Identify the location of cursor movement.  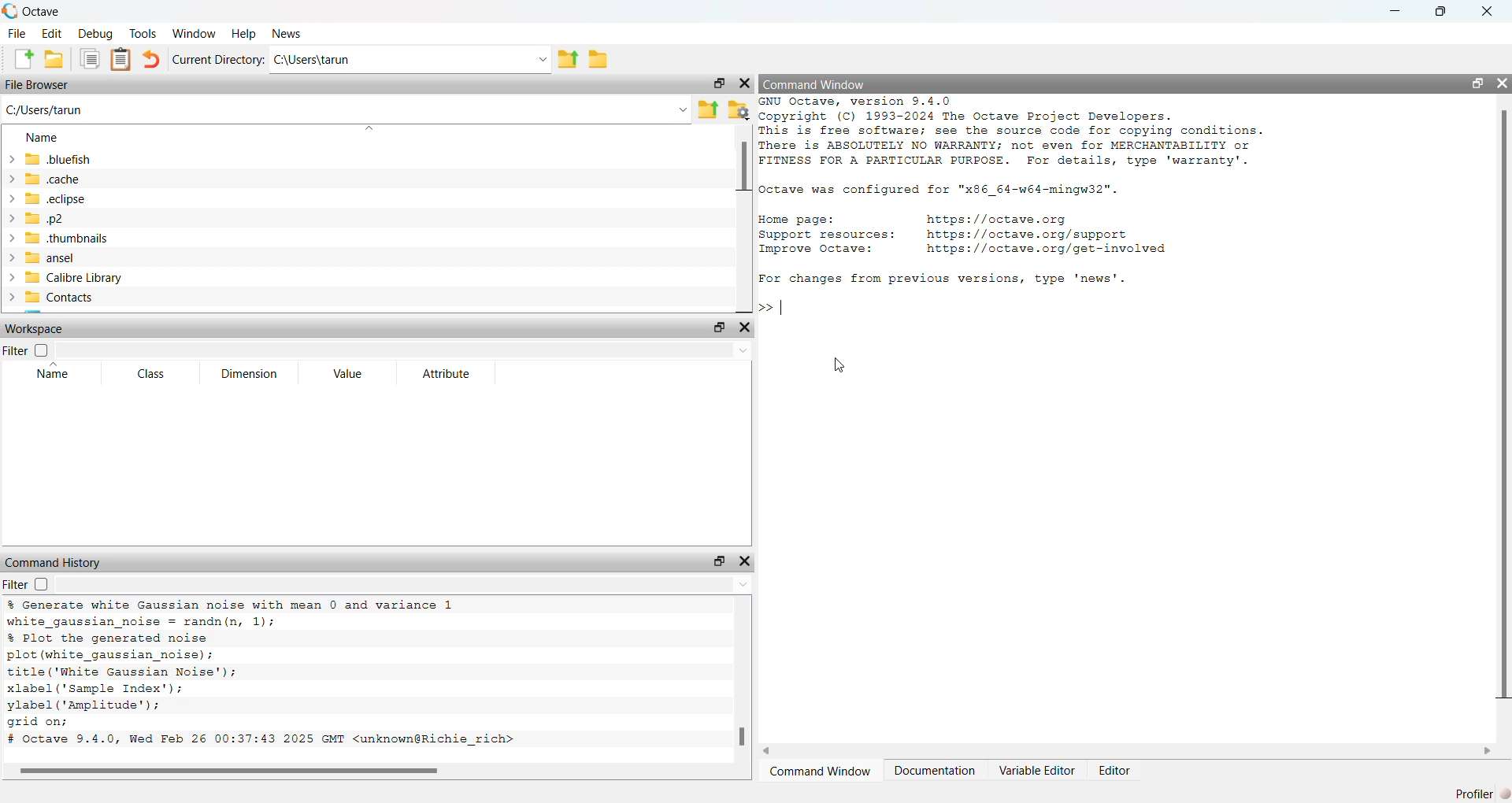
(835, 367).